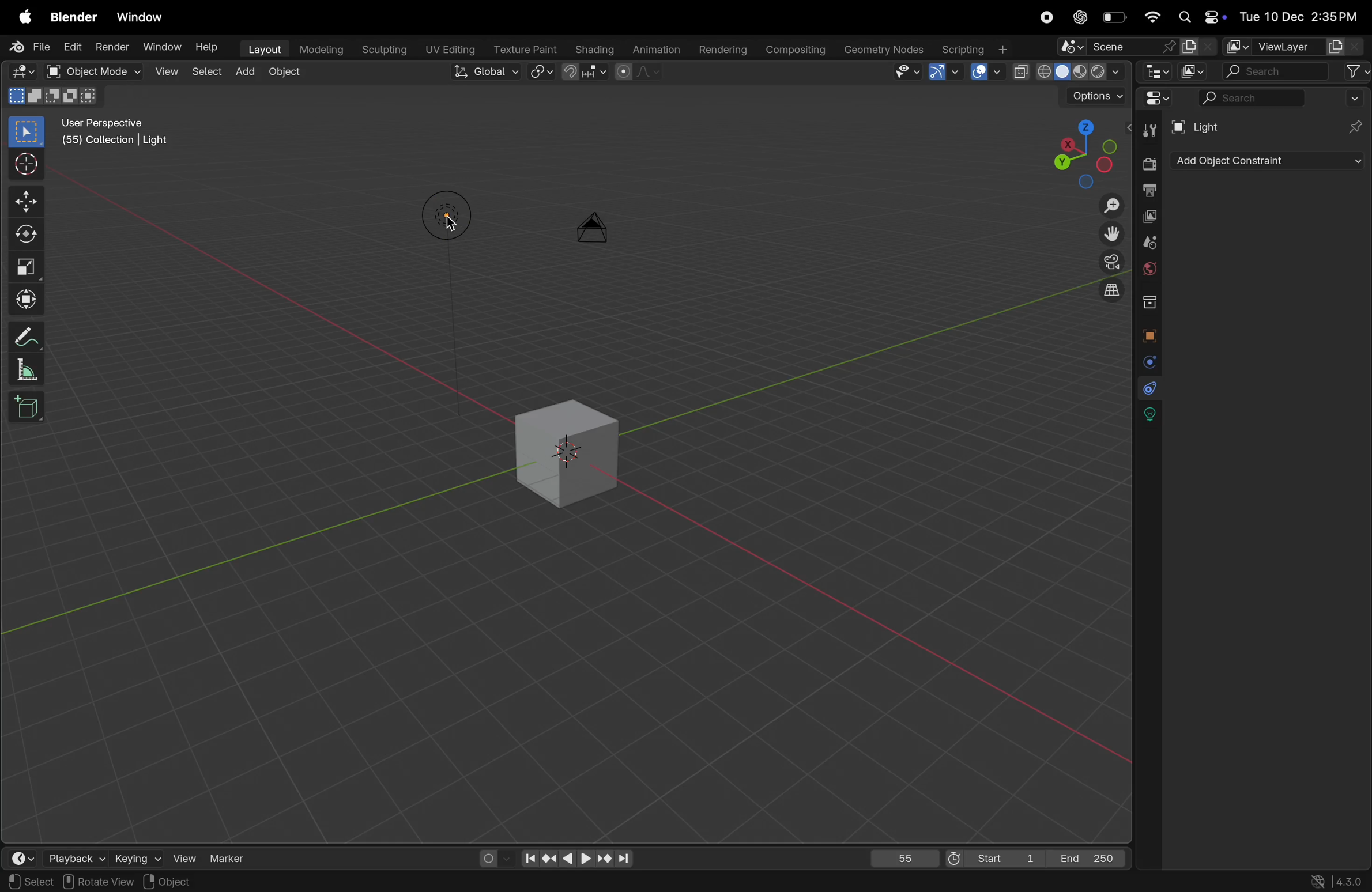  Describe the element at coordinates (28, 302) in the screenshot. I see `transform` at that location.